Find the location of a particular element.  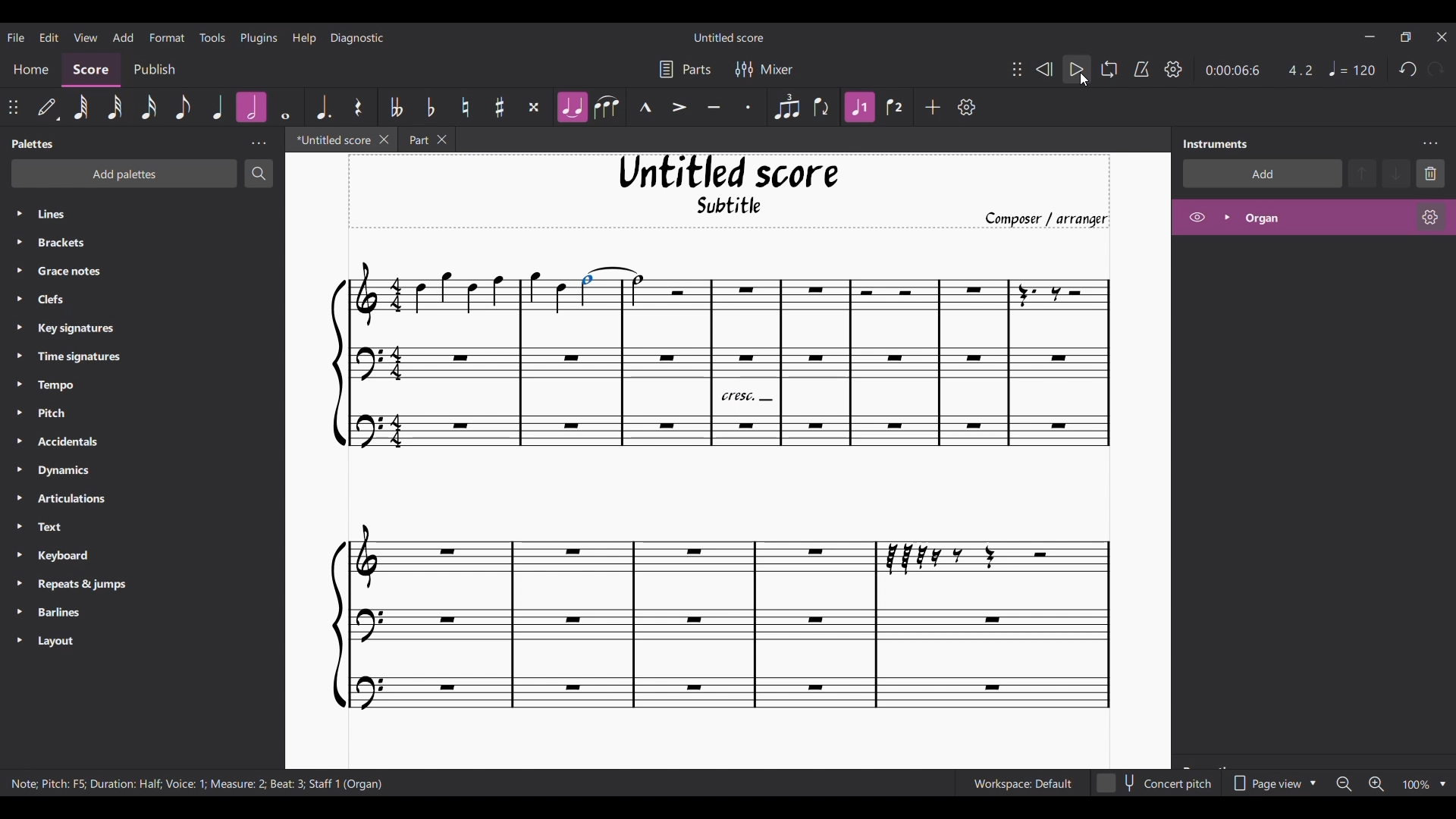

Home section is located at coordinates (30, 71).